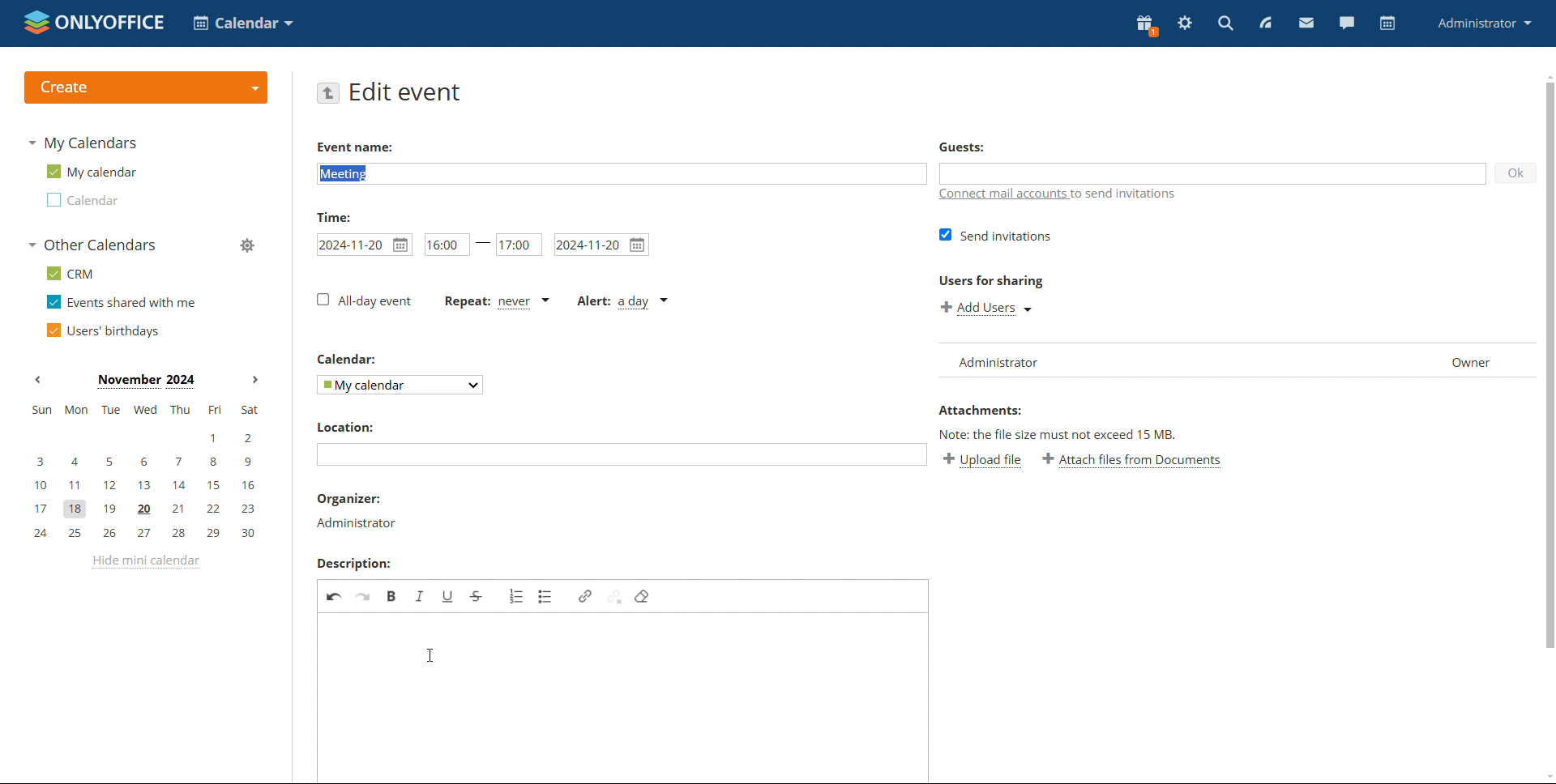 The height and width of the screenshot is (784, 1556). I want to click on remove format, so click(643, 596).